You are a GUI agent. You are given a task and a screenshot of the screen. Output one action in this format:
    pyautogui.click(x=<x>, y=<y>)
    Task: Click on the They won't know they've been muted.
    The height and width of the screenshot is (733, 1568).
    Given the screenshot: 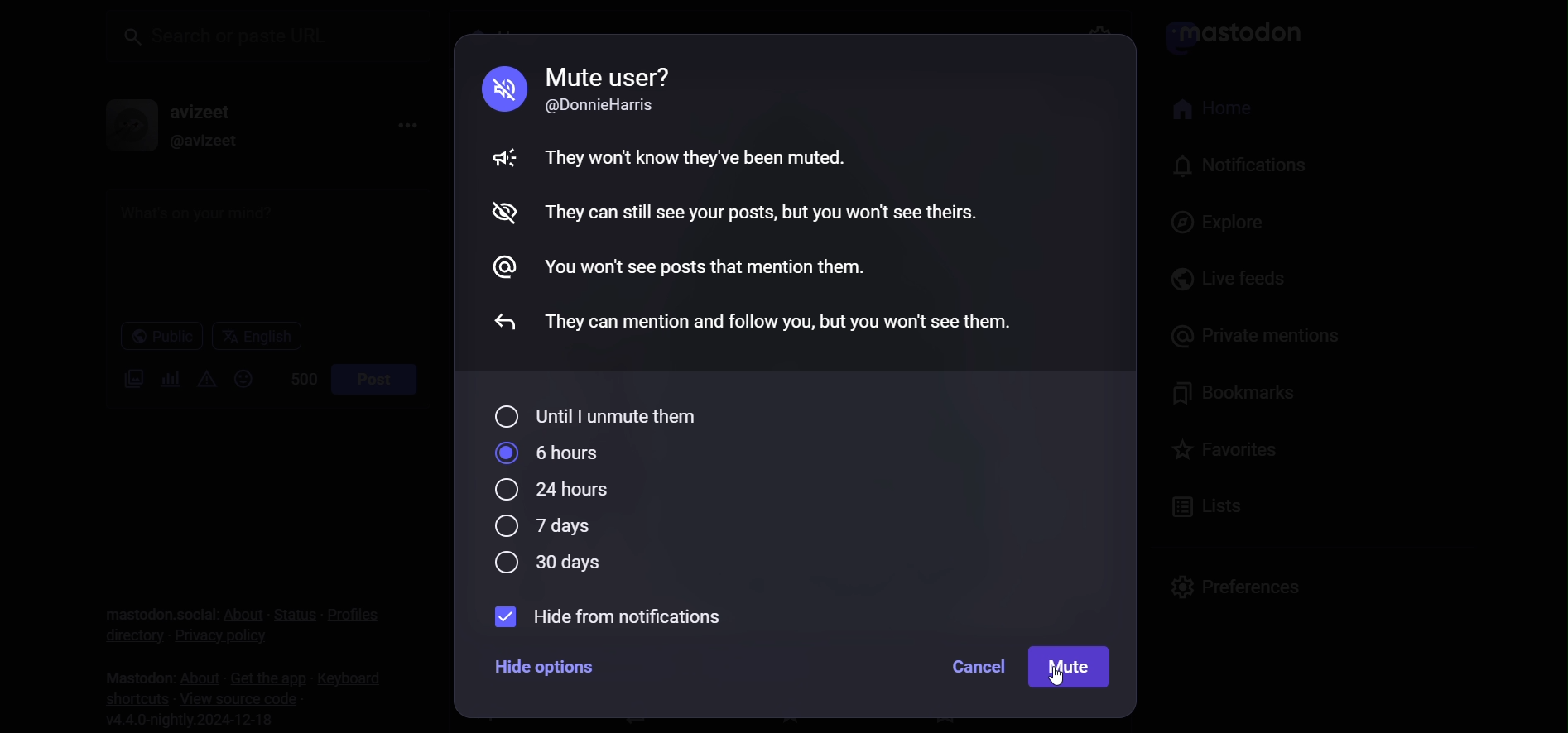 What is the action you would take?
    pyautogui.click(x=699, y=156)
    